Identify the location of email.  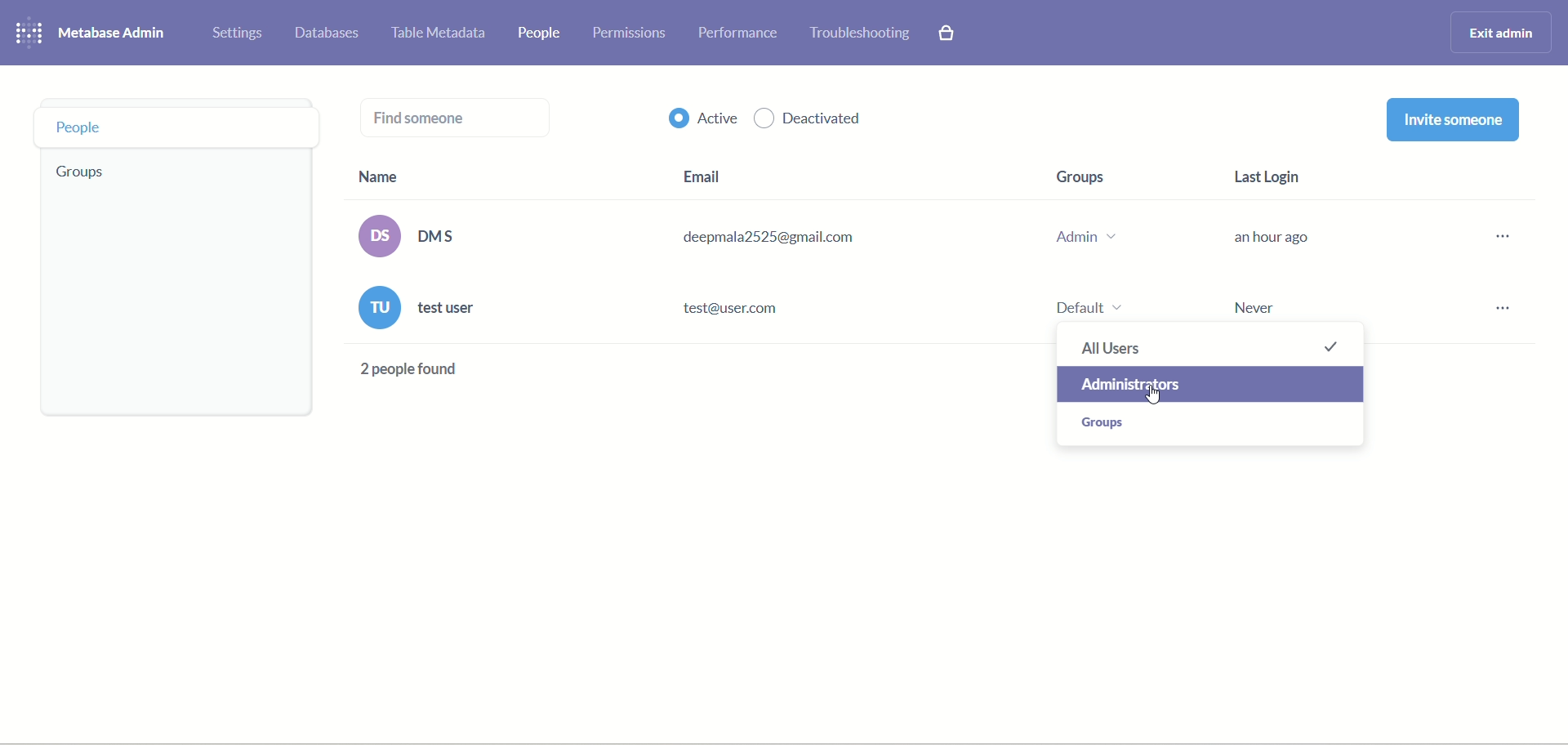
(764, 254).